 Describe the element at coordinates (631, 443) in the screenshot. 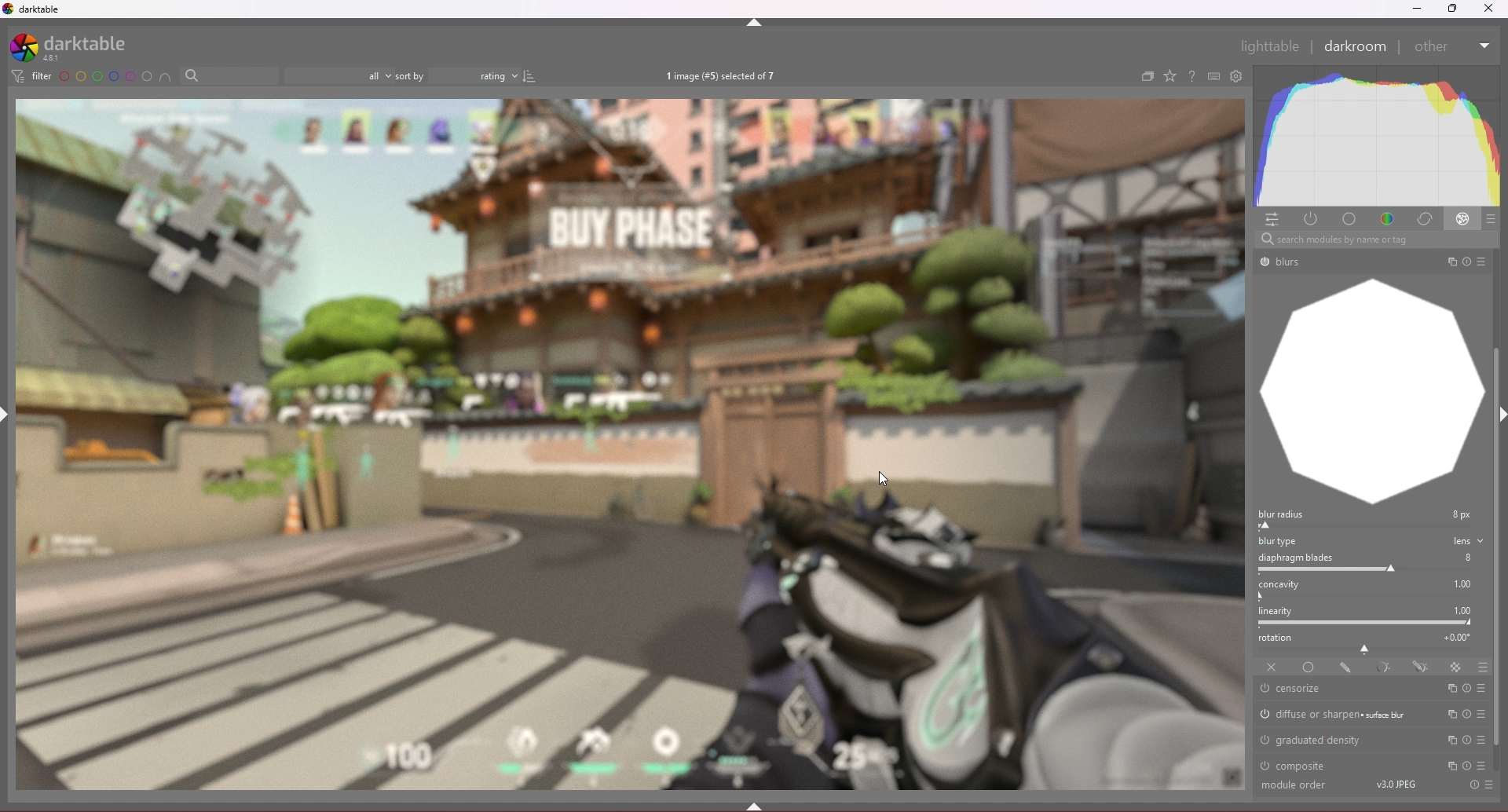

I see `` at that location.